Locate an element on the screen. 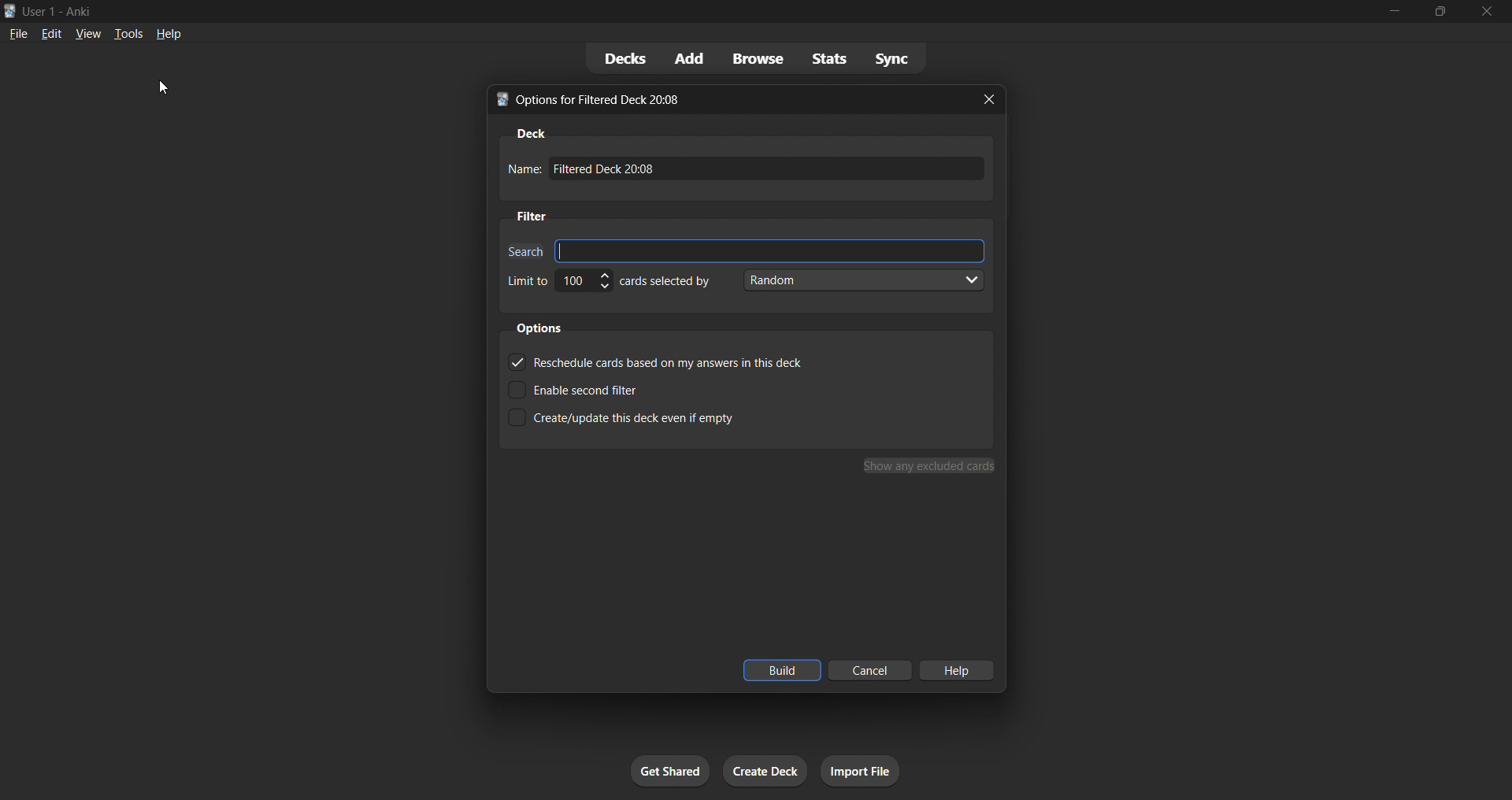 The height and width of the screenshot is (800, 1512). name is located at coordinates (523, 168).